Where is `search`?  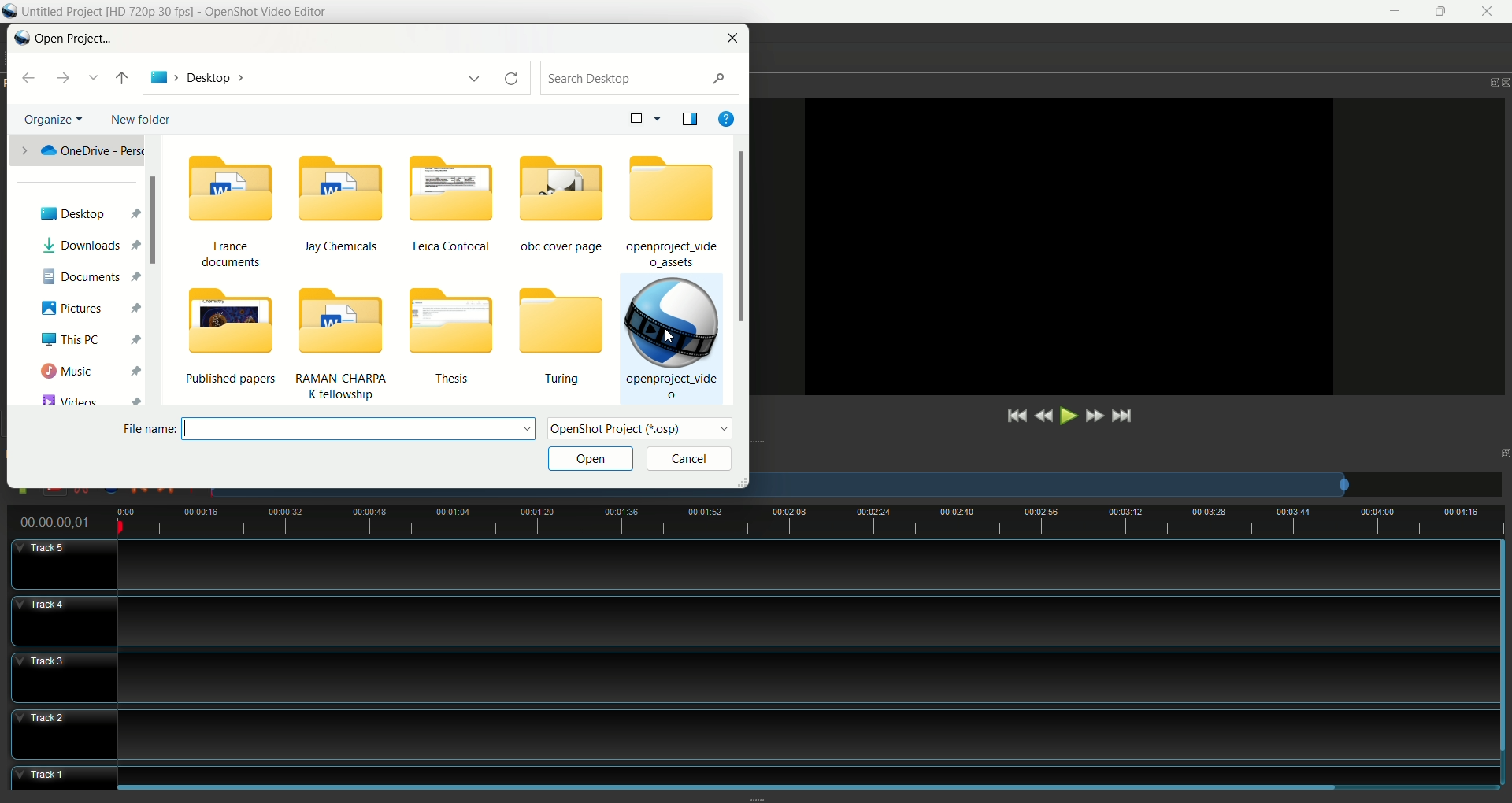 search is located at coordinates (643, 79).